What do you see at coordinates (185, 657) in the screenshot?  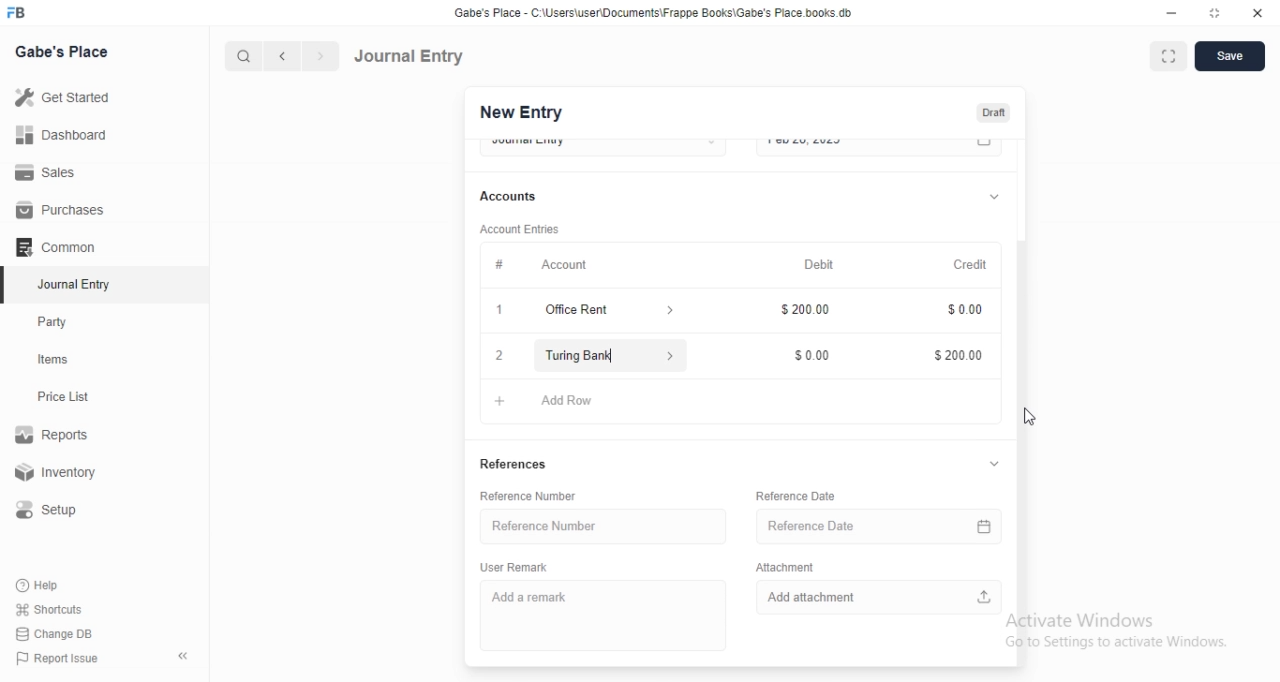 I see `«` at bounding box center [185, 657].